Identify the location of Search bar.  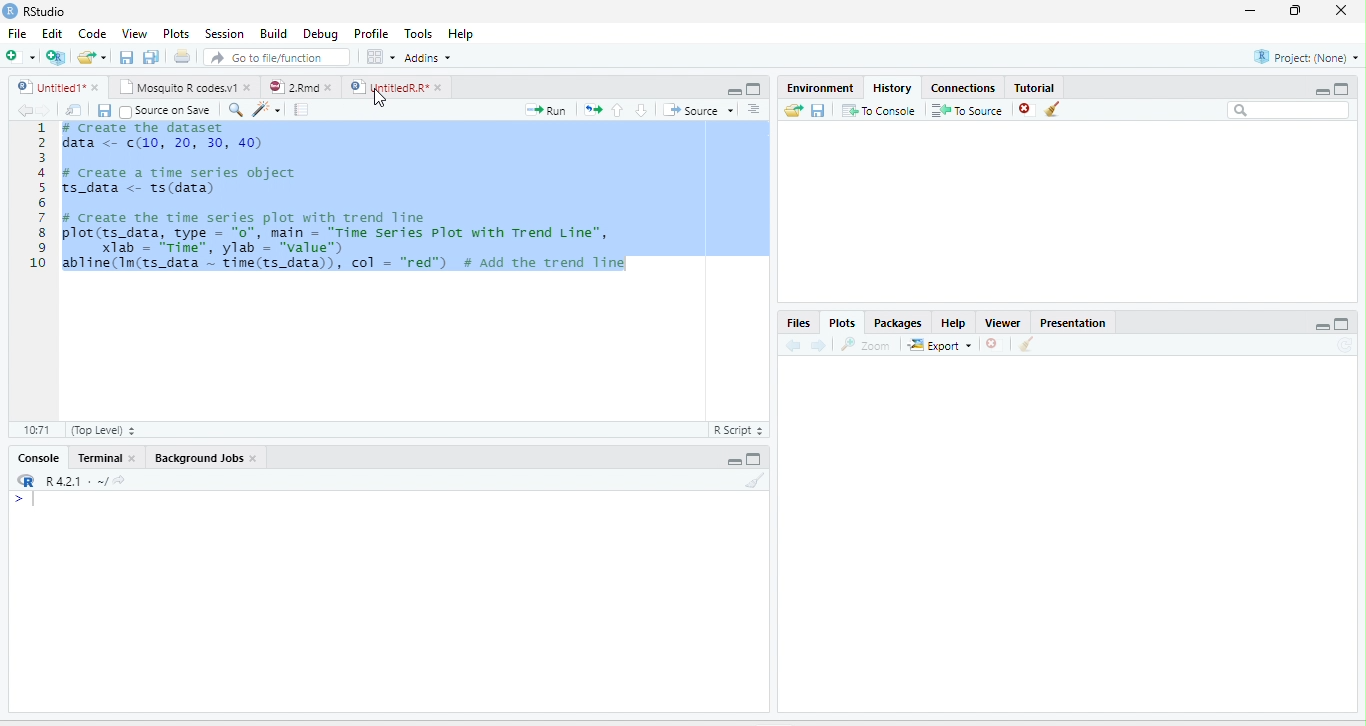
(1288, 110).